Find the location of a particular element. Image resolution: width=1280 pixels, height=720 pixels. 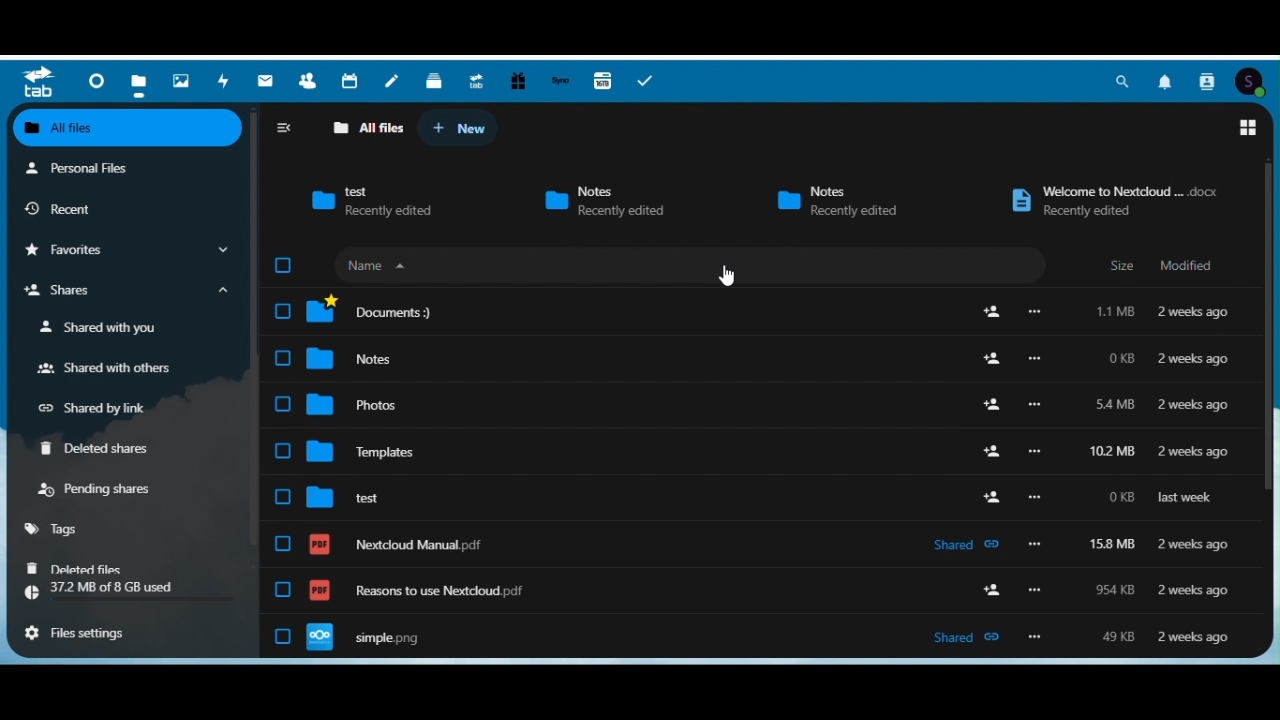

Dashboard is located at coordinates (97, 81).